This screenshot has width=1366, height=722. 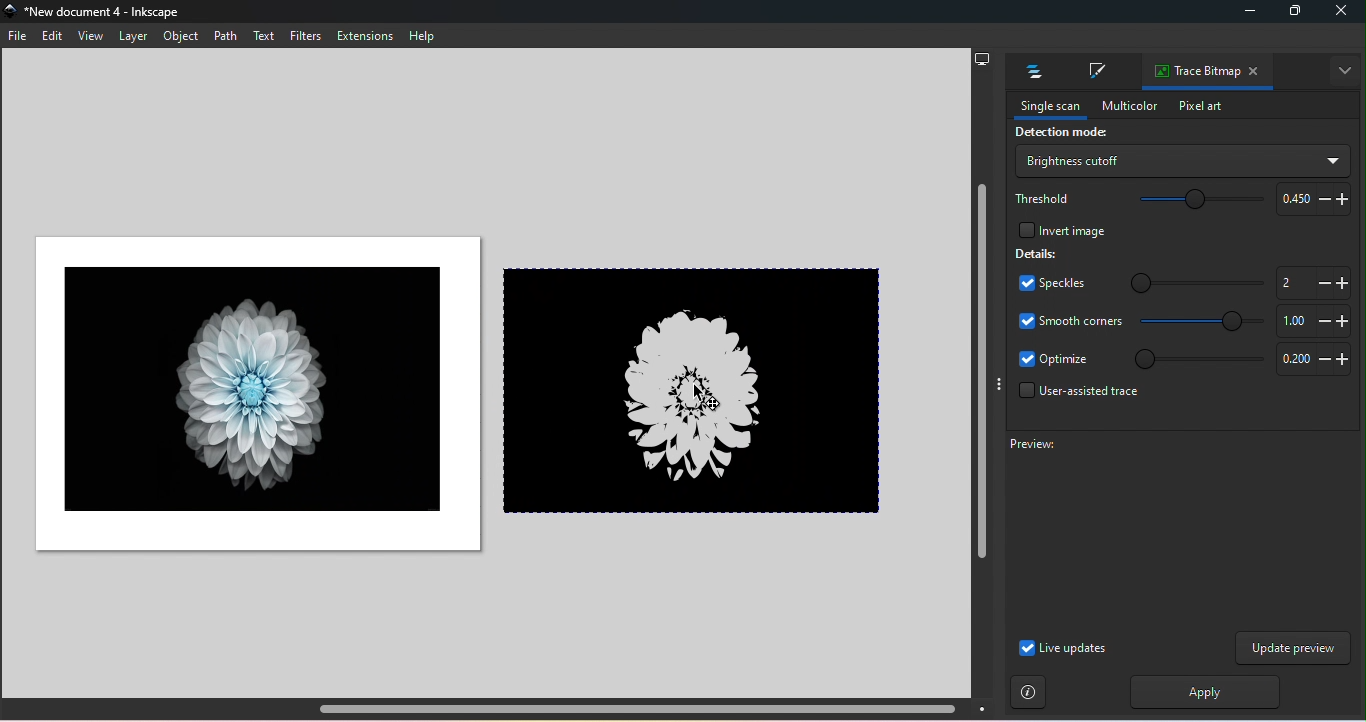 What do you see at coordinates (1346, 71) in the screenshot?
I see `Toggle display options` at bounding box center [1346, 71].